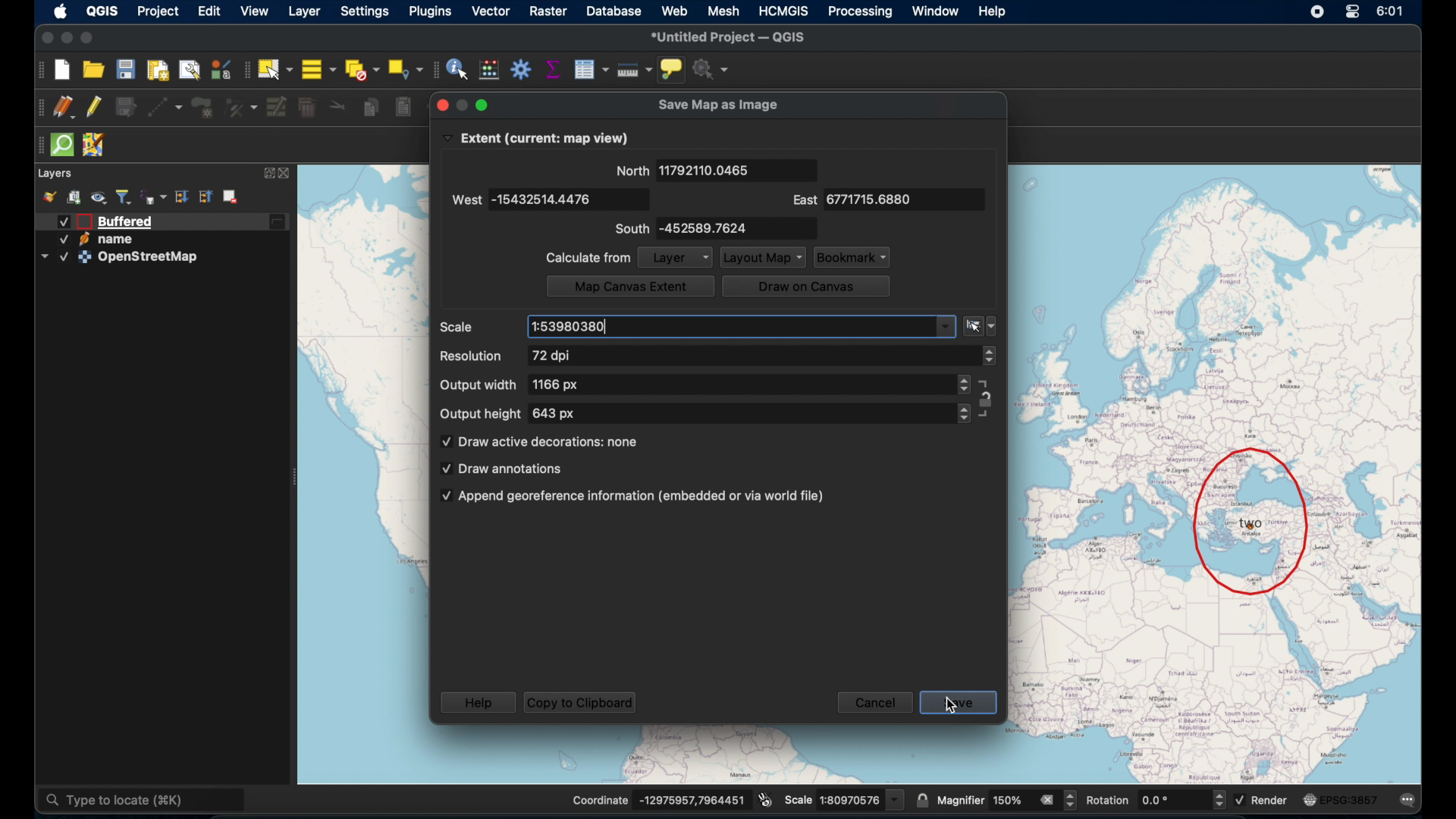 This screenshot has height=819, width=1456. What do you see at coordinates (551, 354) in the screenshot?
I see `72 dpi` at bounding box center [551, 354].